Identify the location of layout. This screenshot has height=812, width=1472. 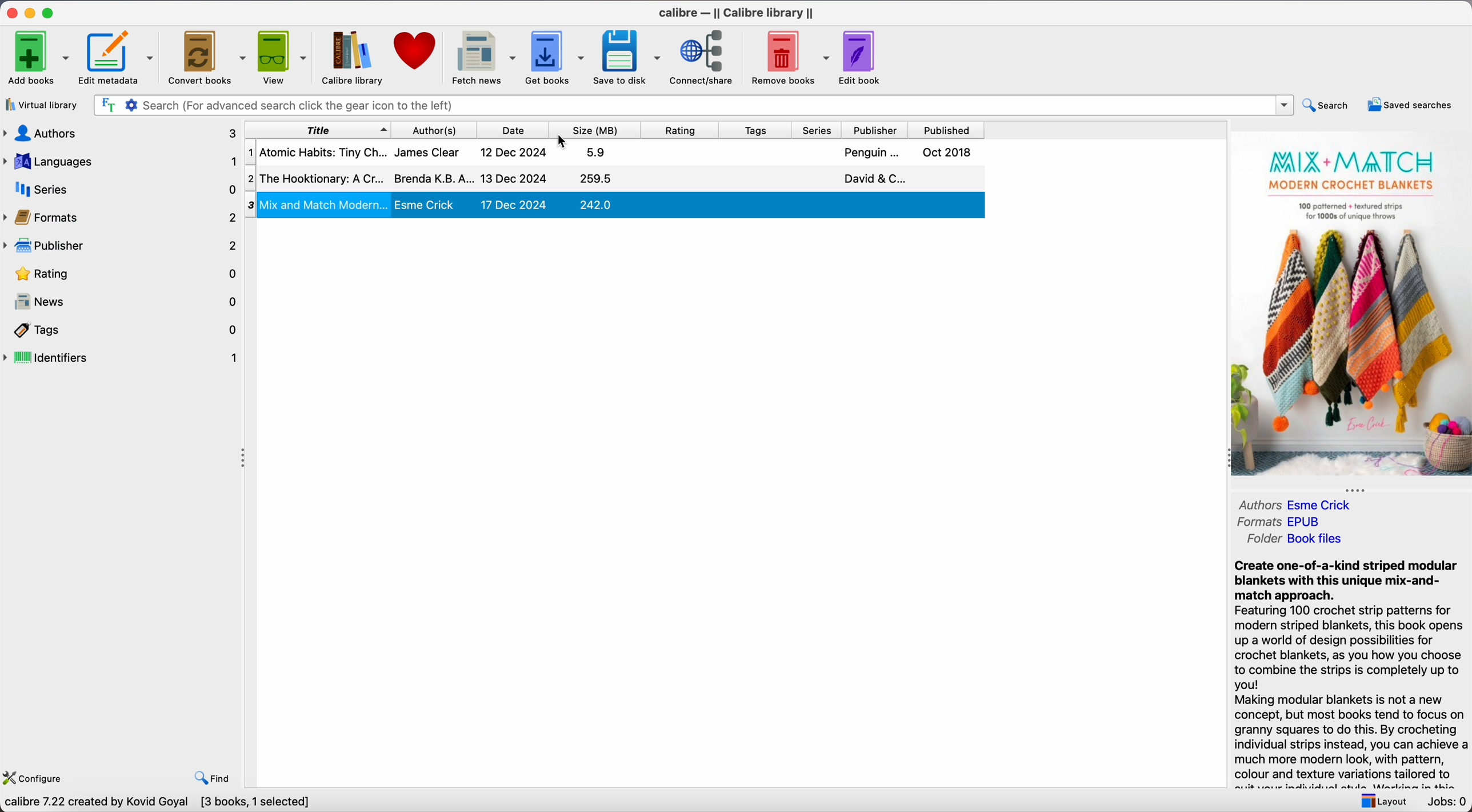
(1381, 800).